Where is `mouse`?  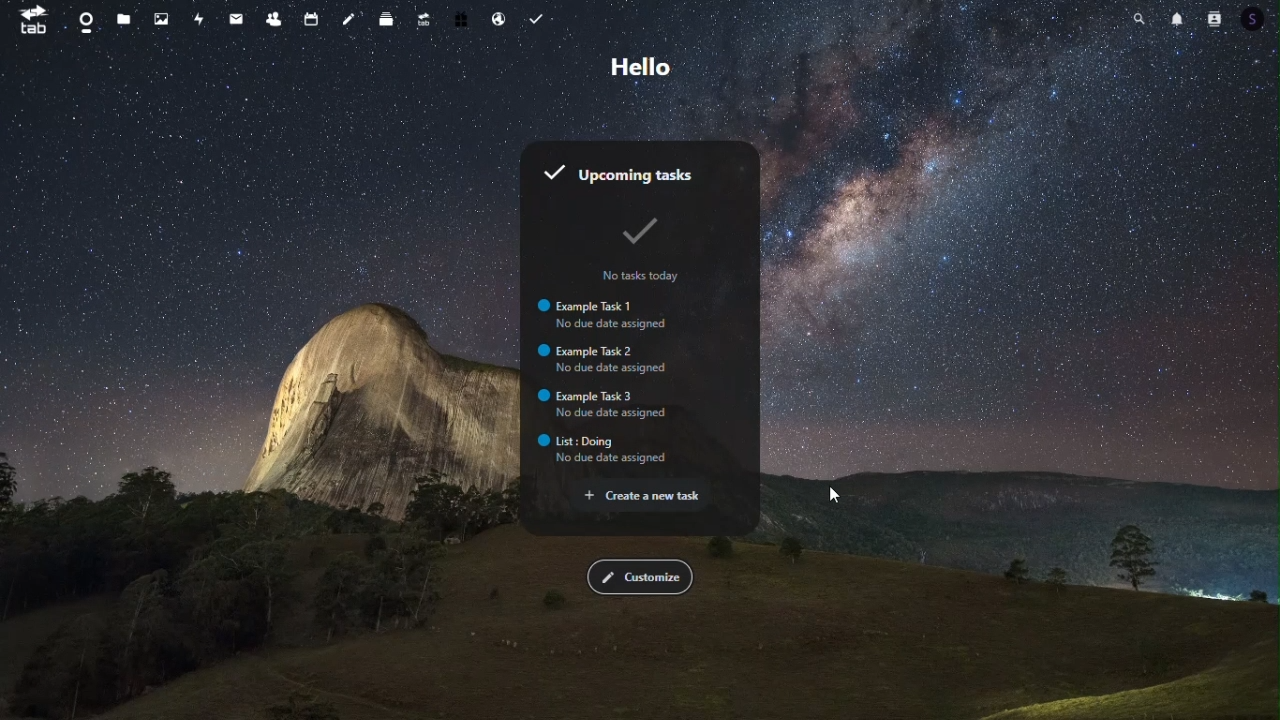 mouse is located at coordinates (833, 495).